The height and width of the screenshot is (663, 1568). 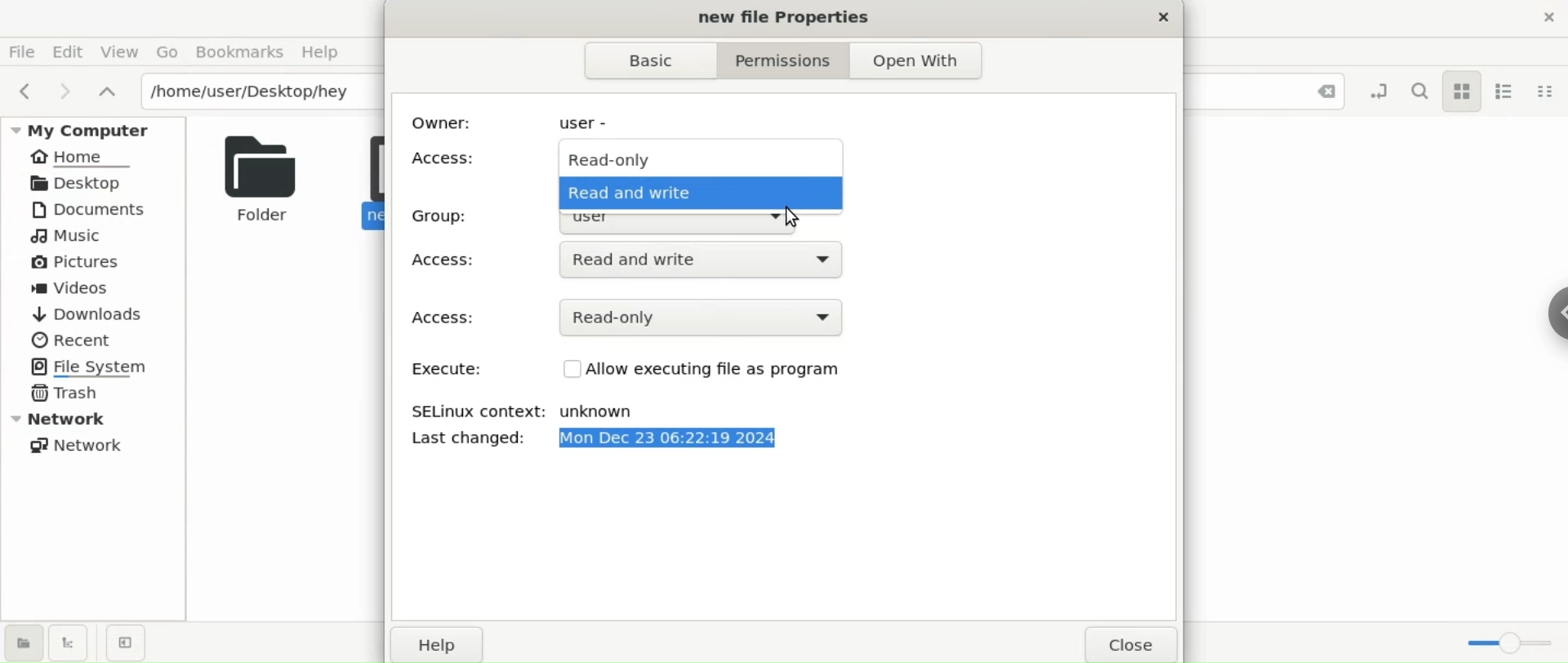 What do you see at coordinates (479, 258) in the screenshot?
I see `Access` at bounding box center [479, 258].